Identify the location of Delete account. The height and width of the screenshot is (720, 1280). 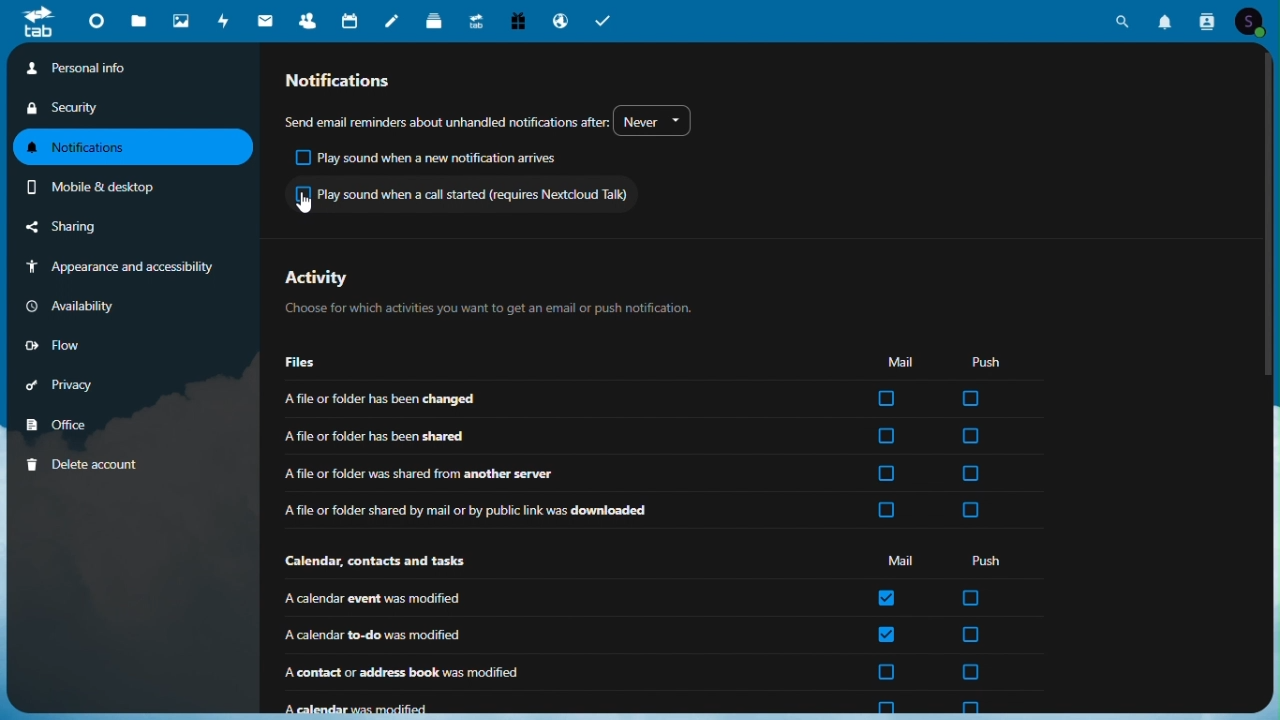
(82, 462).